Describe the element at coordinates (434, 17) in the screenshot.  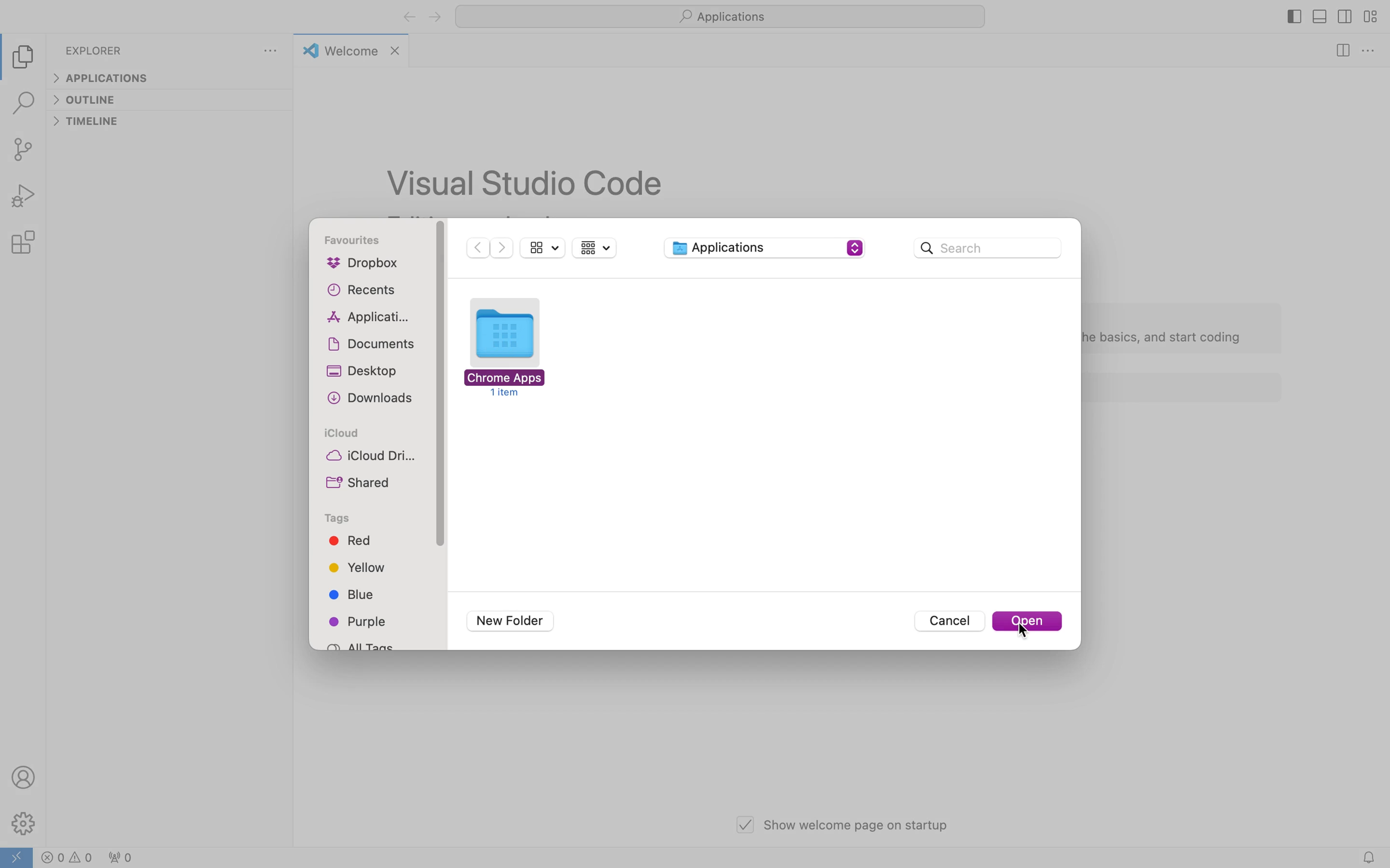
I see `forward` at that location.